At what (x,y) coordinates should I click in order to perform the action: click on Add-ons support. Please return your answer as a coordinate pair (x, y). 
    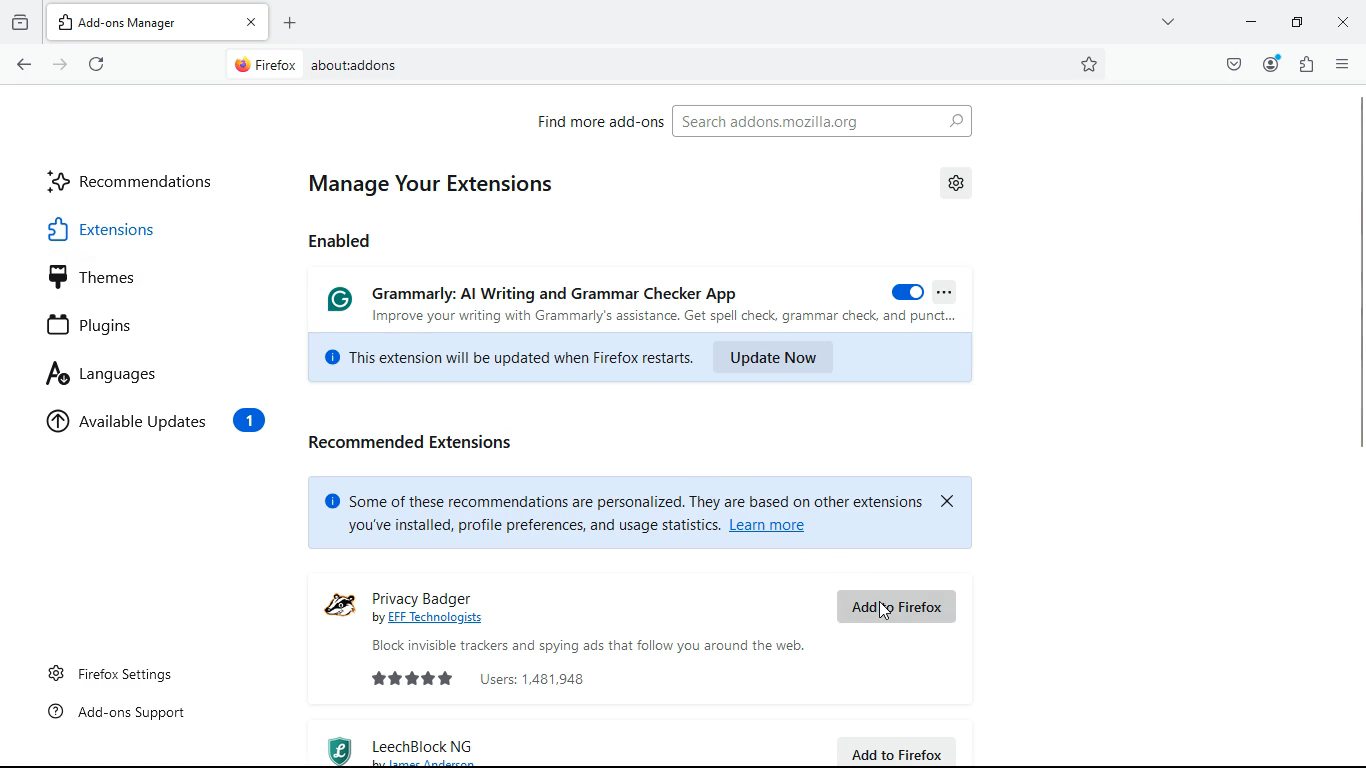
    Looking at the image, I should click on (126, 714).